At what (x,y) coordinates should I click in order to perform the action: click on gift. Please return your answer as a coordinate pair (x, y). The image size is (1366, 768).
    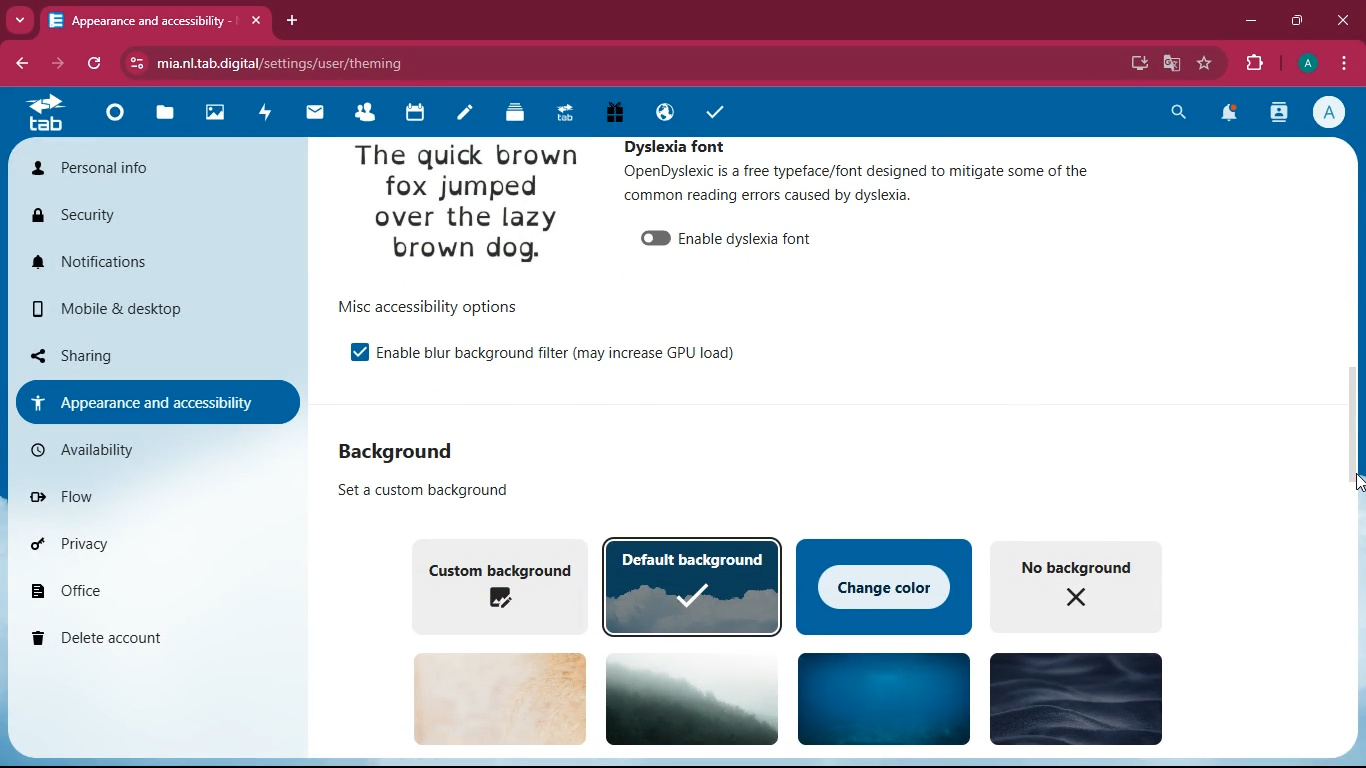
    Looking at the image, I should click on (614, 112).